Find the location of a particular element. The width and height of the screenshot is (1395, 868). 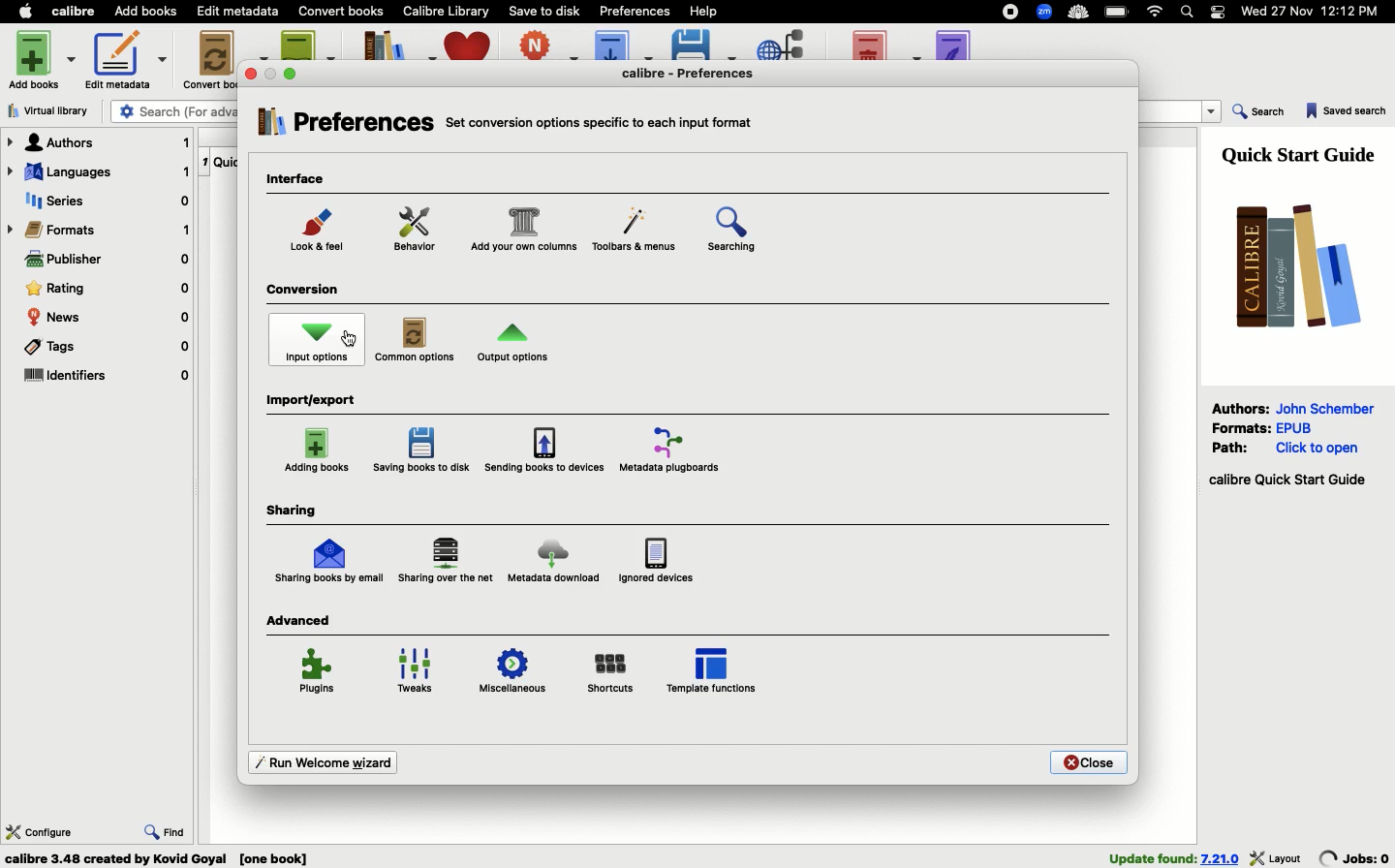

Metadata download is located at coordinates (552, 565).